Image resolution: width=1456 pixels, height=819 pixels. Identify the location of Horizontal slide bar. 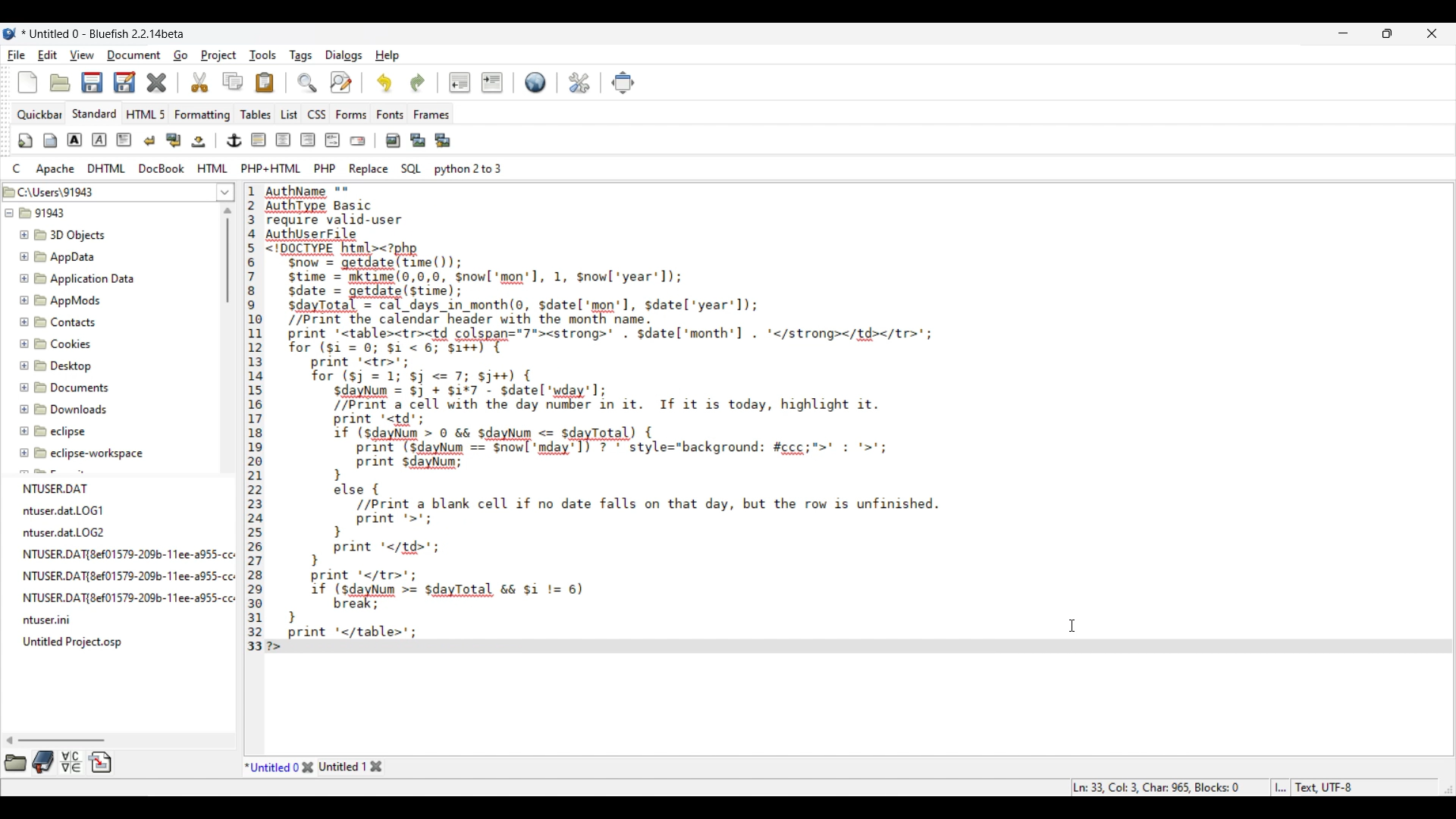
(55, 740).